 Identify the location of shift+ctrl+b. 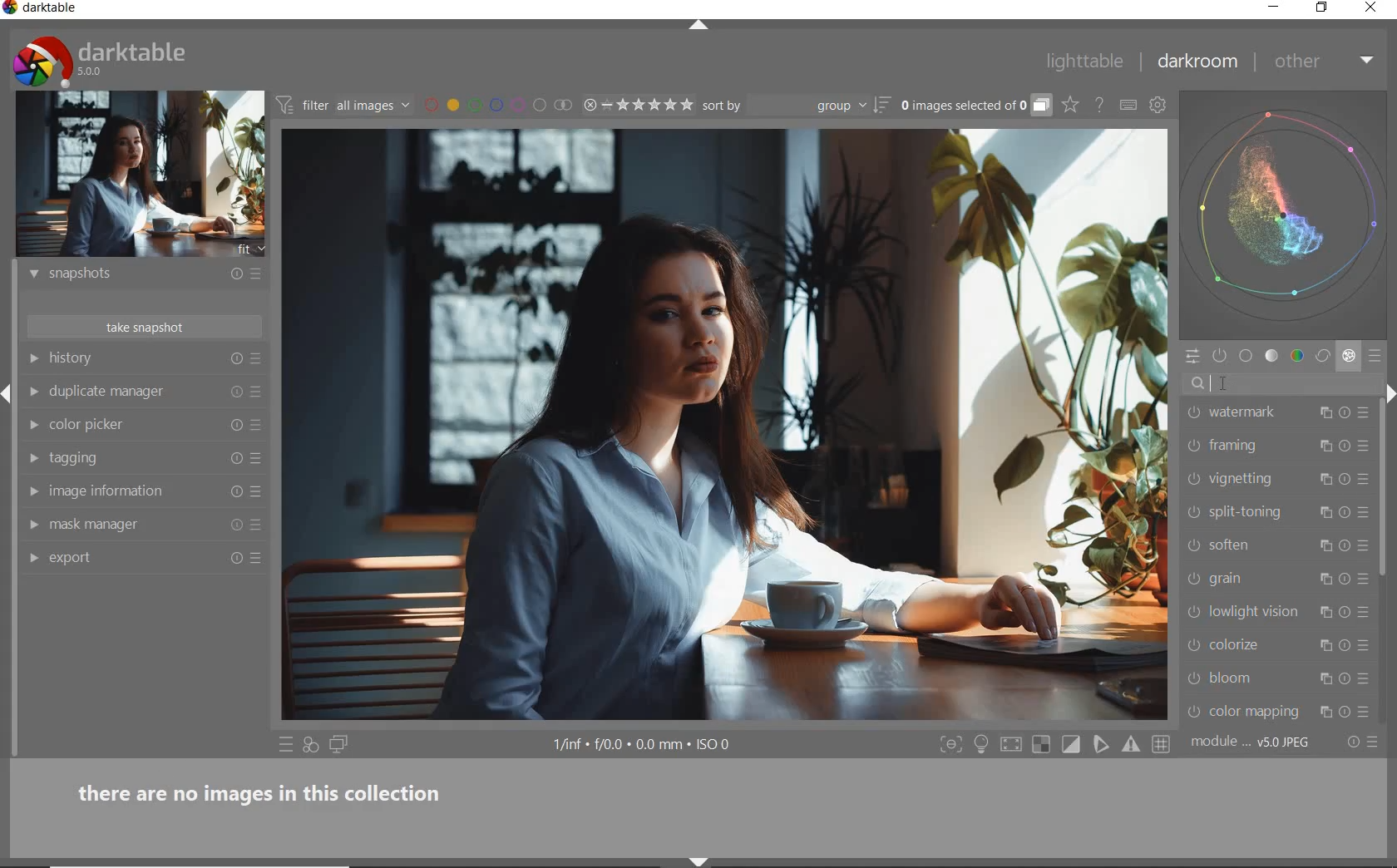
(699, 860).